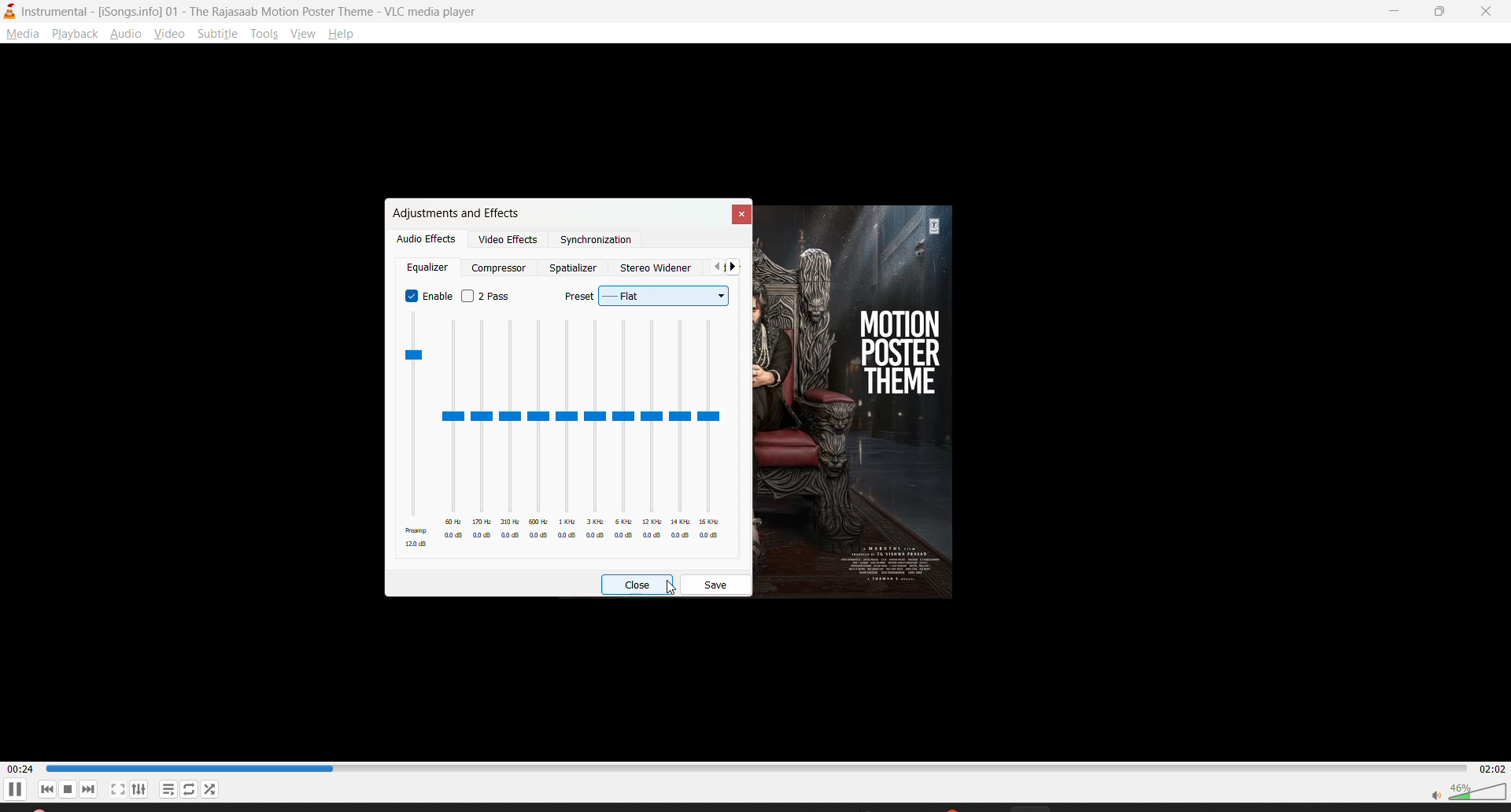 This screenshot has width=1511, height=812. Describe the element at coordinates (596, 241) in the screenshot. I see `synchronization` at that location.